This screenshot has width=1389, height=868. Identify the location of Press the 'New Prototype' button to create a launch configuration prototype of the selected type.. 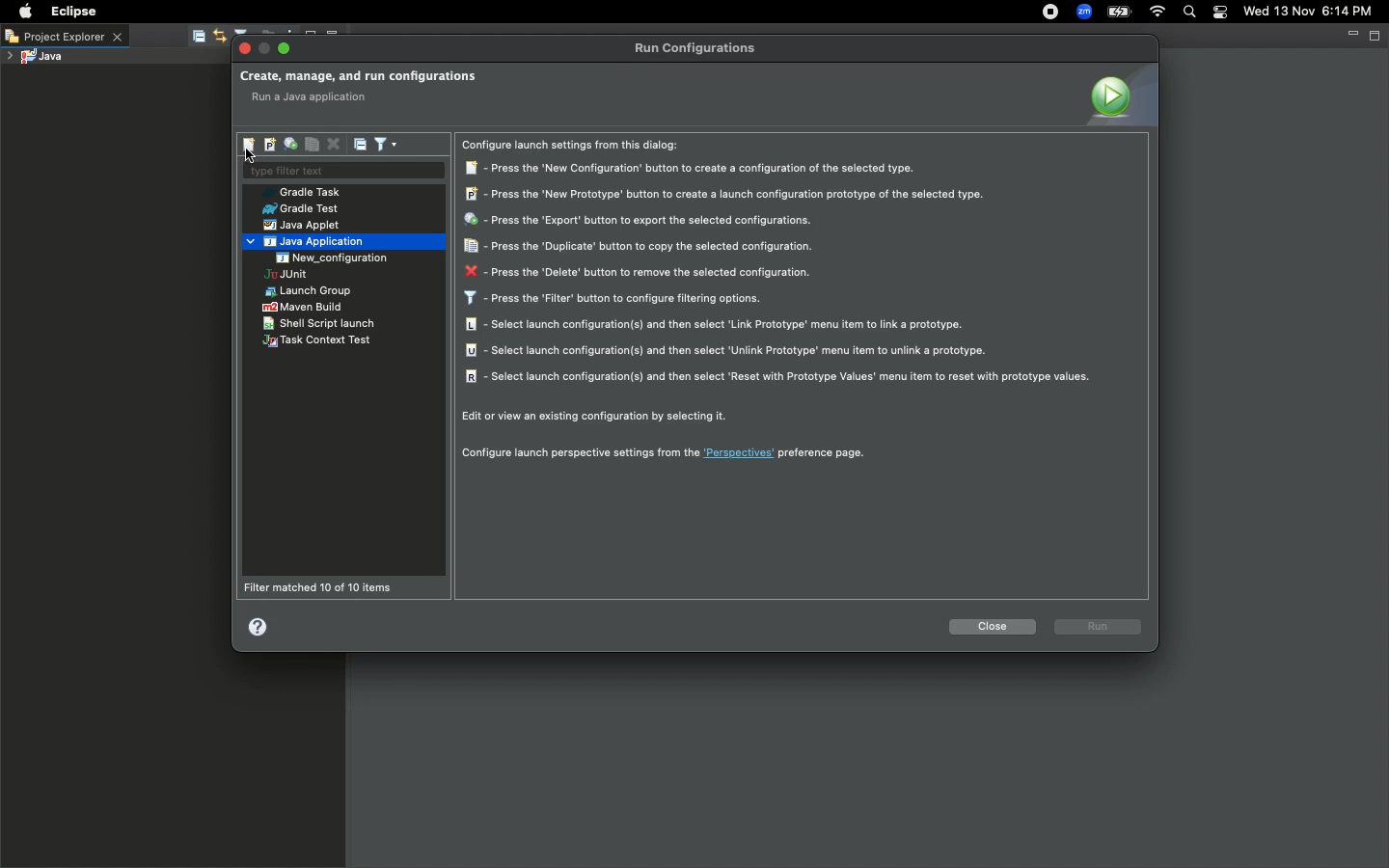
(725, 194).